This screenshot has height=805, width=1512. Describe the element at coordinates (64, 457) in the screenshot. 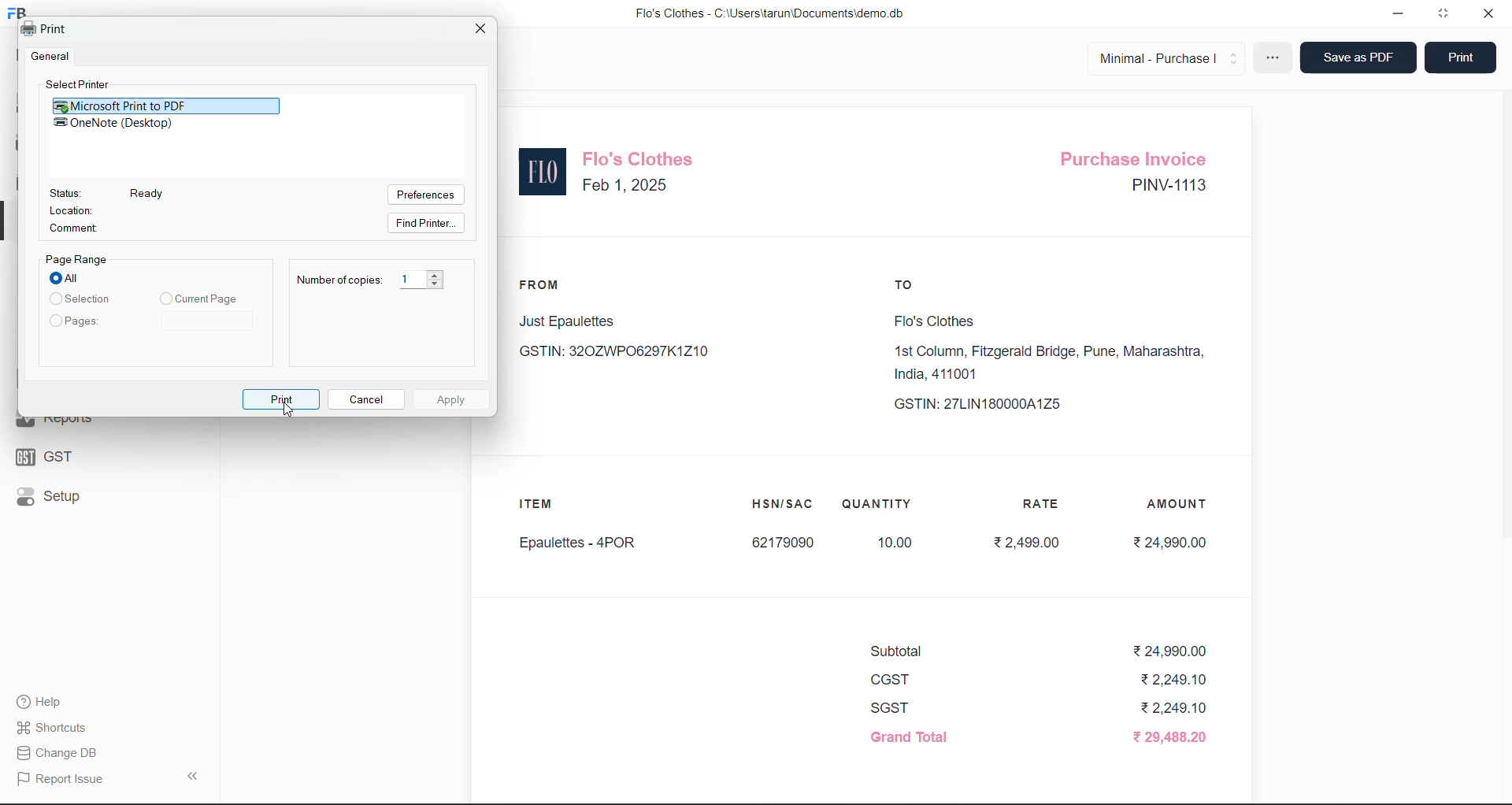

I see ` GST` at that location.